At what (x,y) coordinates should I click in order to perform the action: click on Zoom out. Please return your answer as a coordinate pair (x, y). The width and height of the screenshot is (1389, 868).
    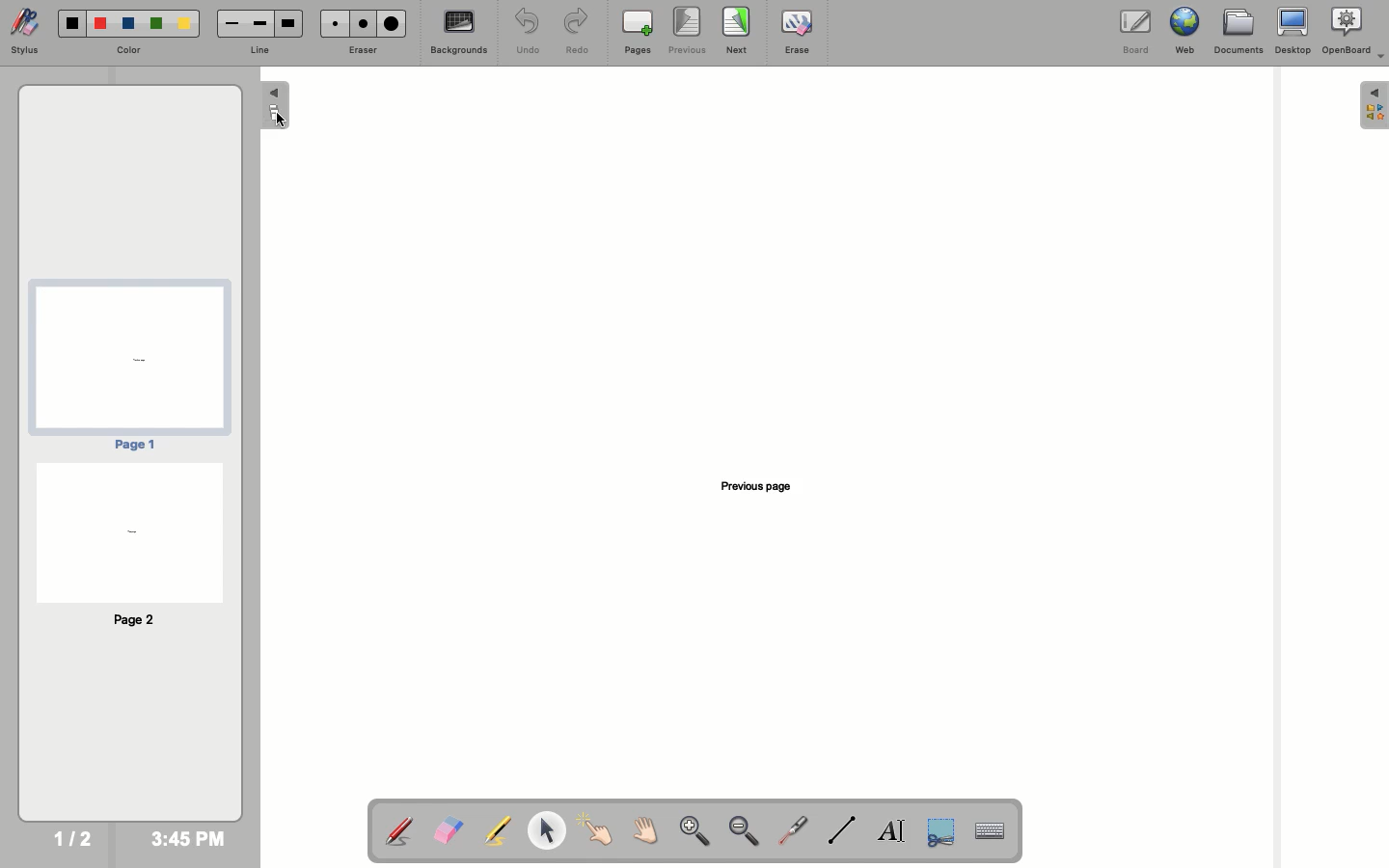
    Looking at the image, I should click on (745, 832).